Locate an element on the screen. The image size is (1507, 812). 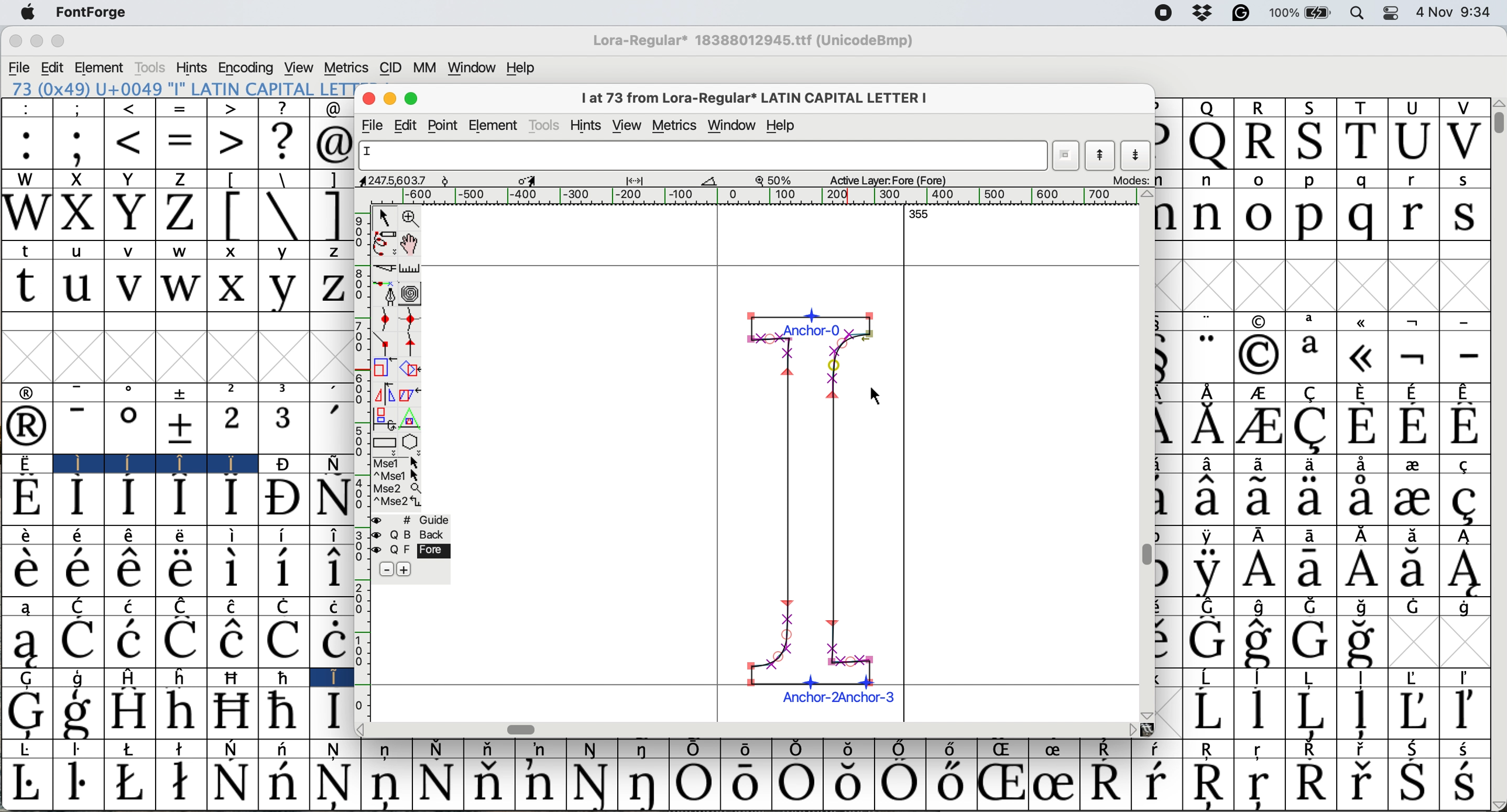
Q is located at coordinates (1207, 107).